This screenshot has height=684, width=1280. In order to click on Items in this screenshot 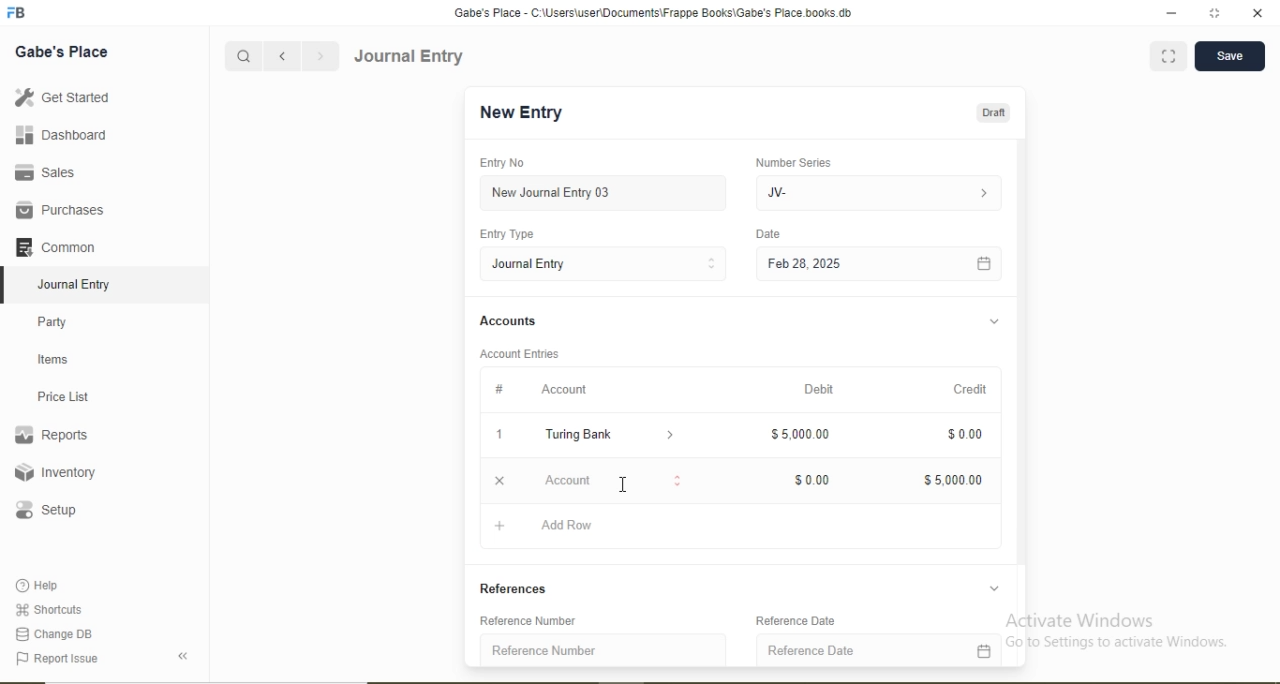, I will do `click(53, 359)`.